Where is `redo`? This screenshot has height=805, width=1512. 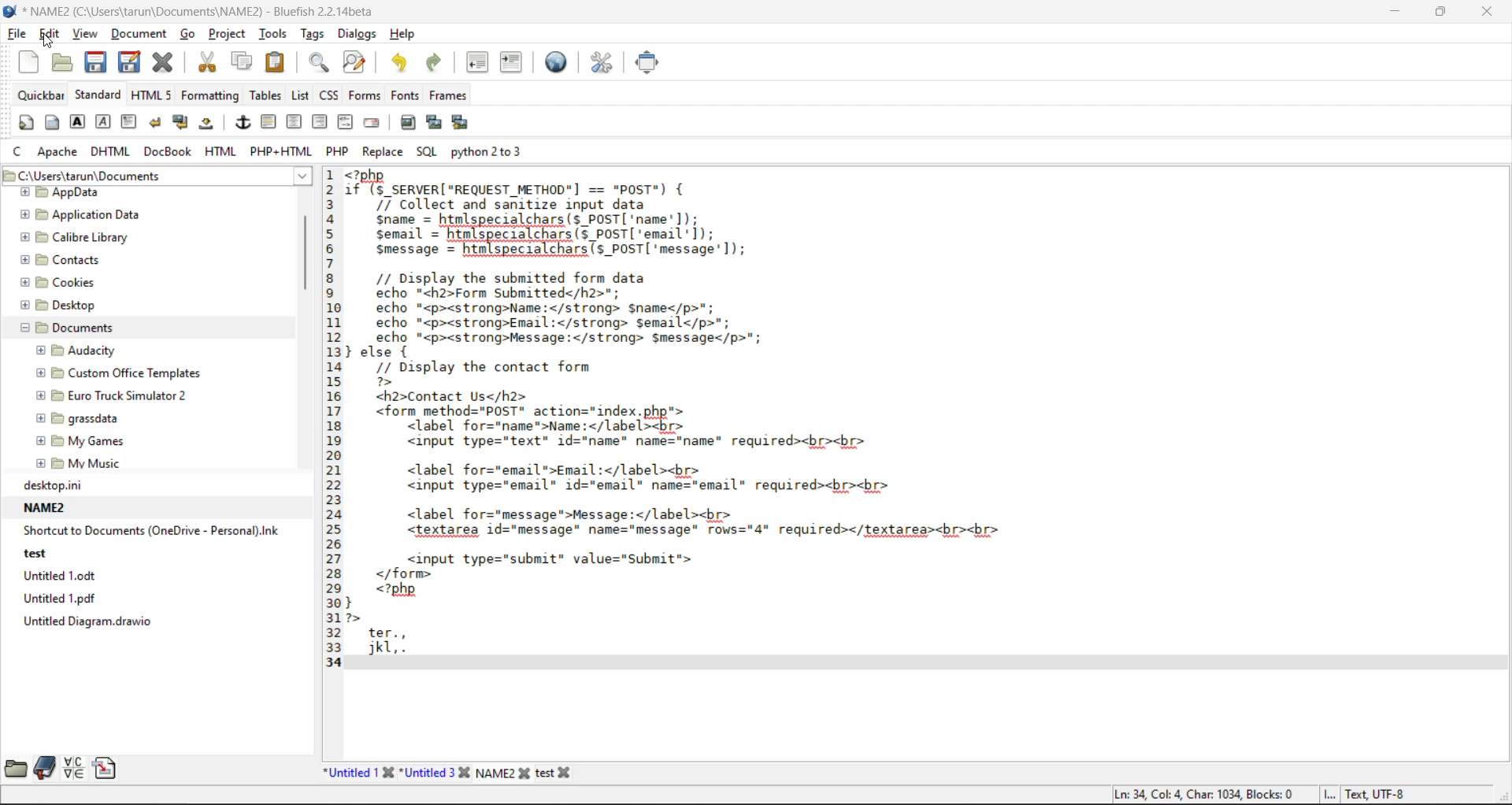
redo is located at coordinates (442, 63).